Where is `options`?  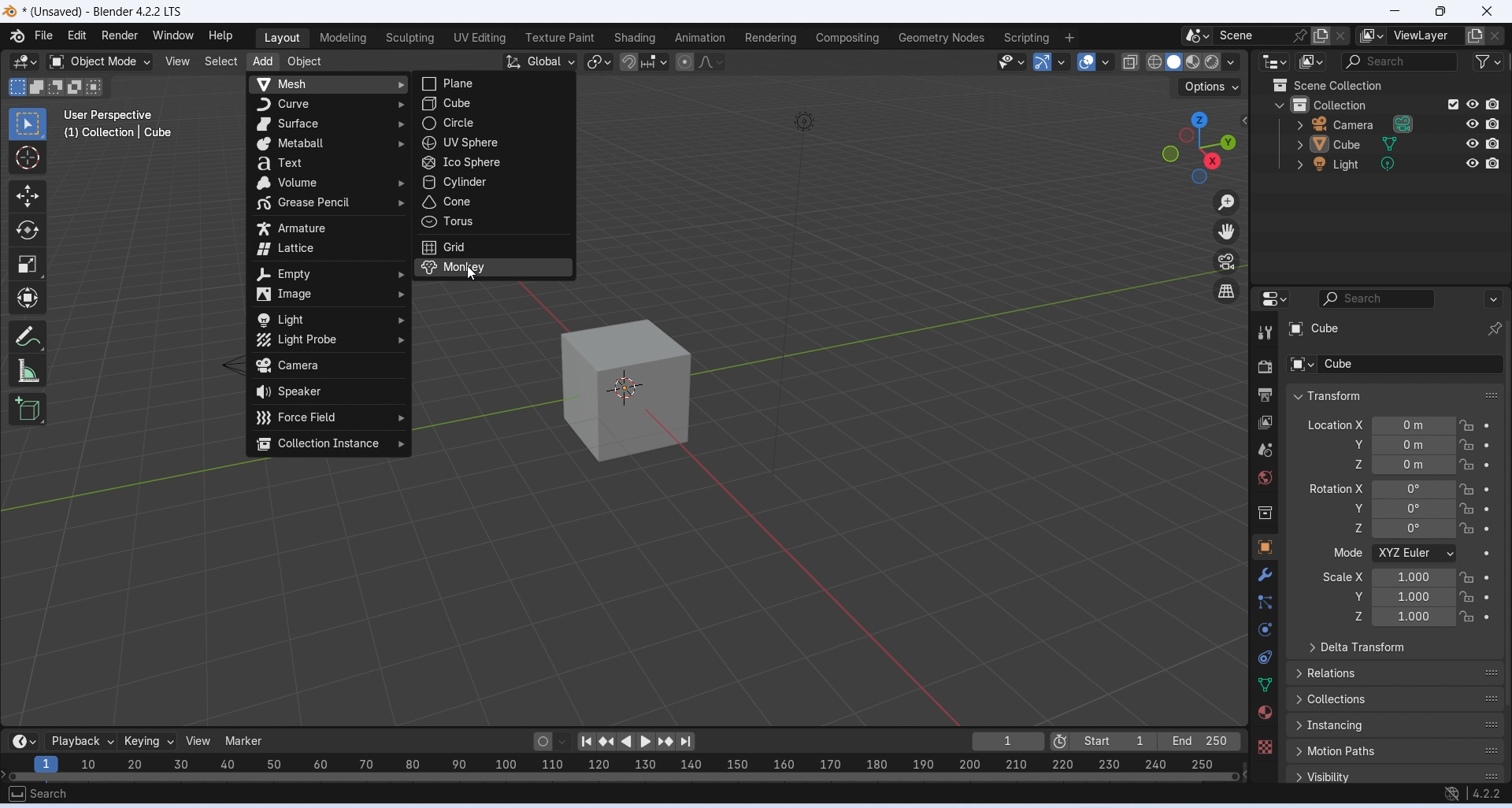 options is located at coordinates (1212, 87).